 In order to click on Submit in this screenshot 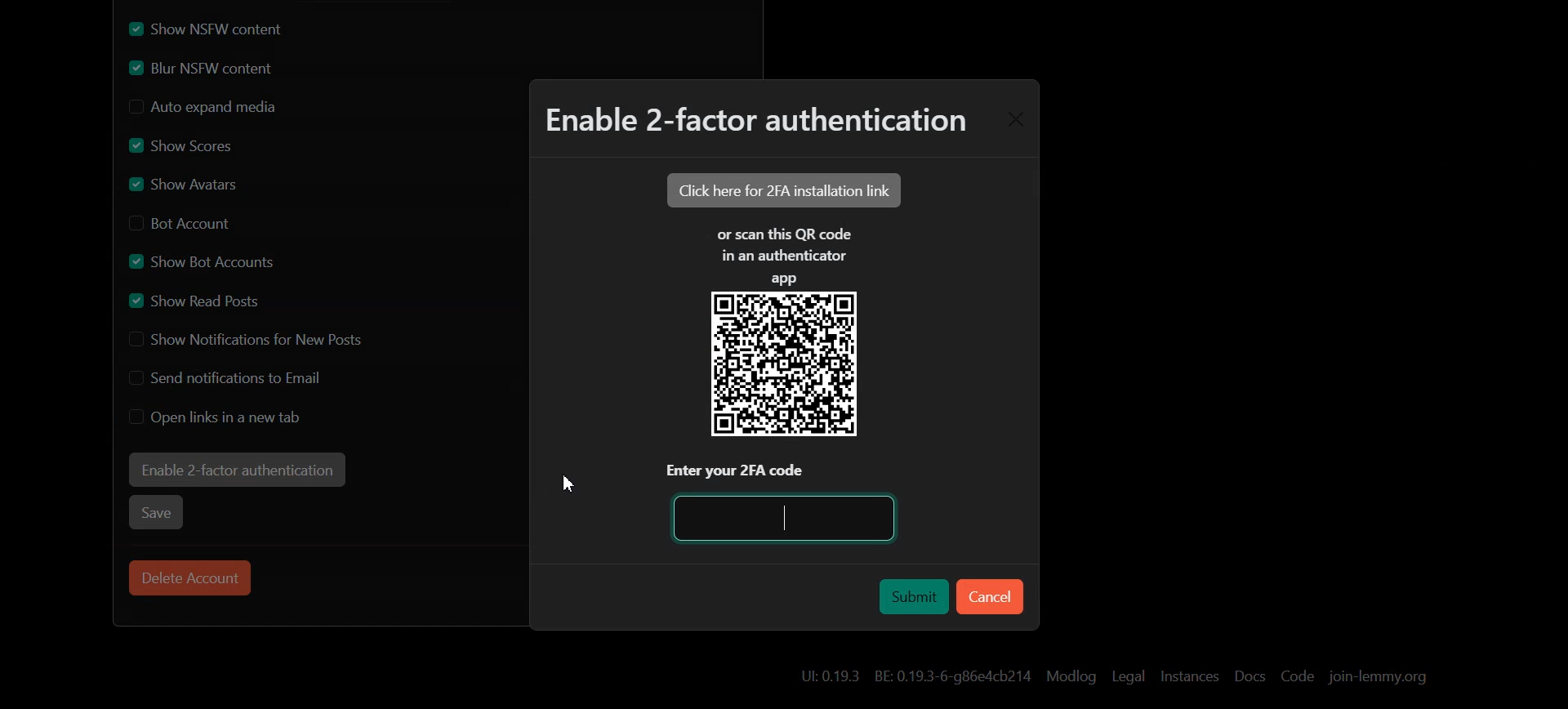, I will do `click(910, 594)`.